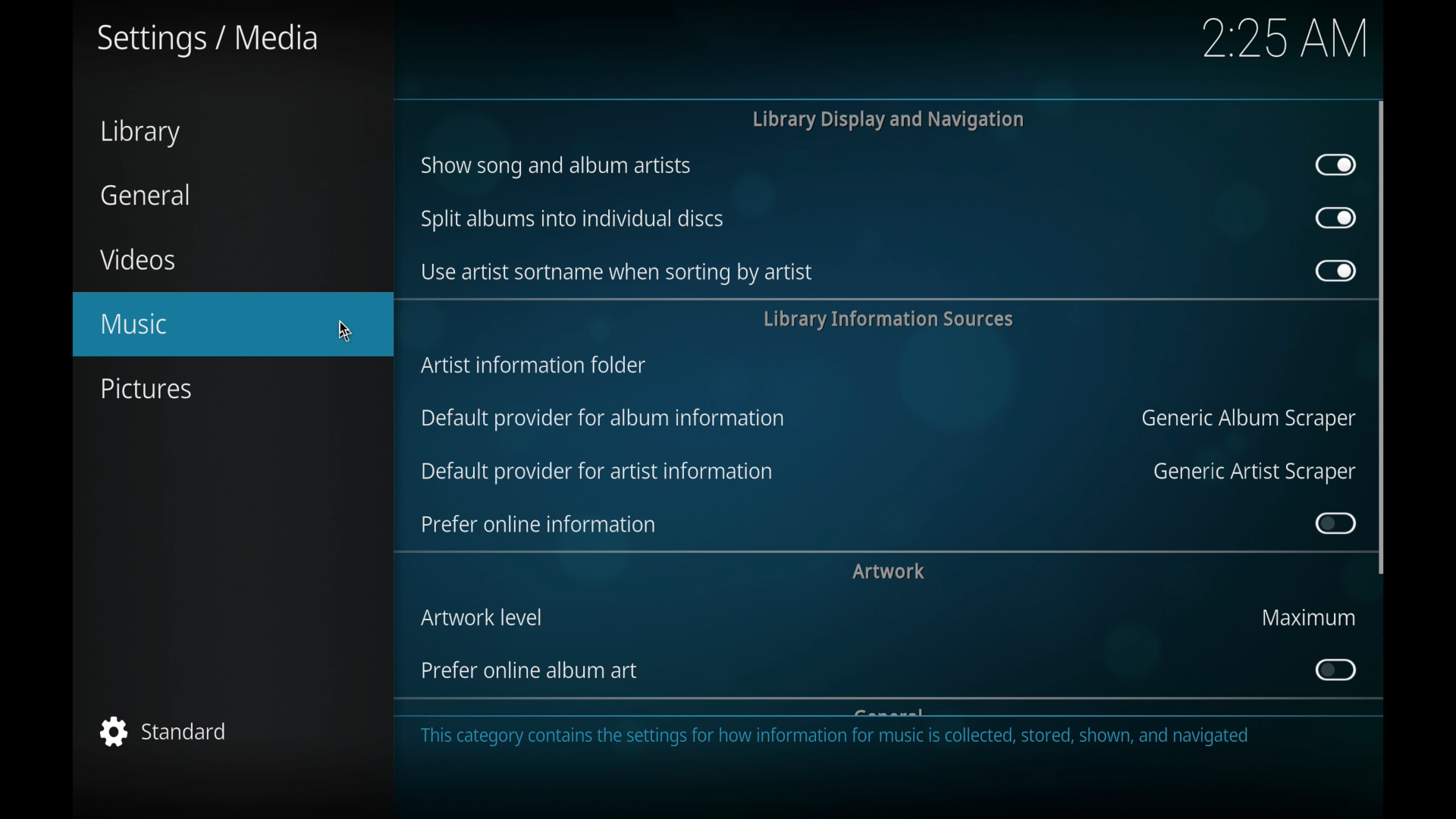 Image resolution: width=1456 pixels, height=819 pixels. What do you see at coordinates (482, 617) in the screenshot?
I see `artwork level` at bounding box center [482, 617].